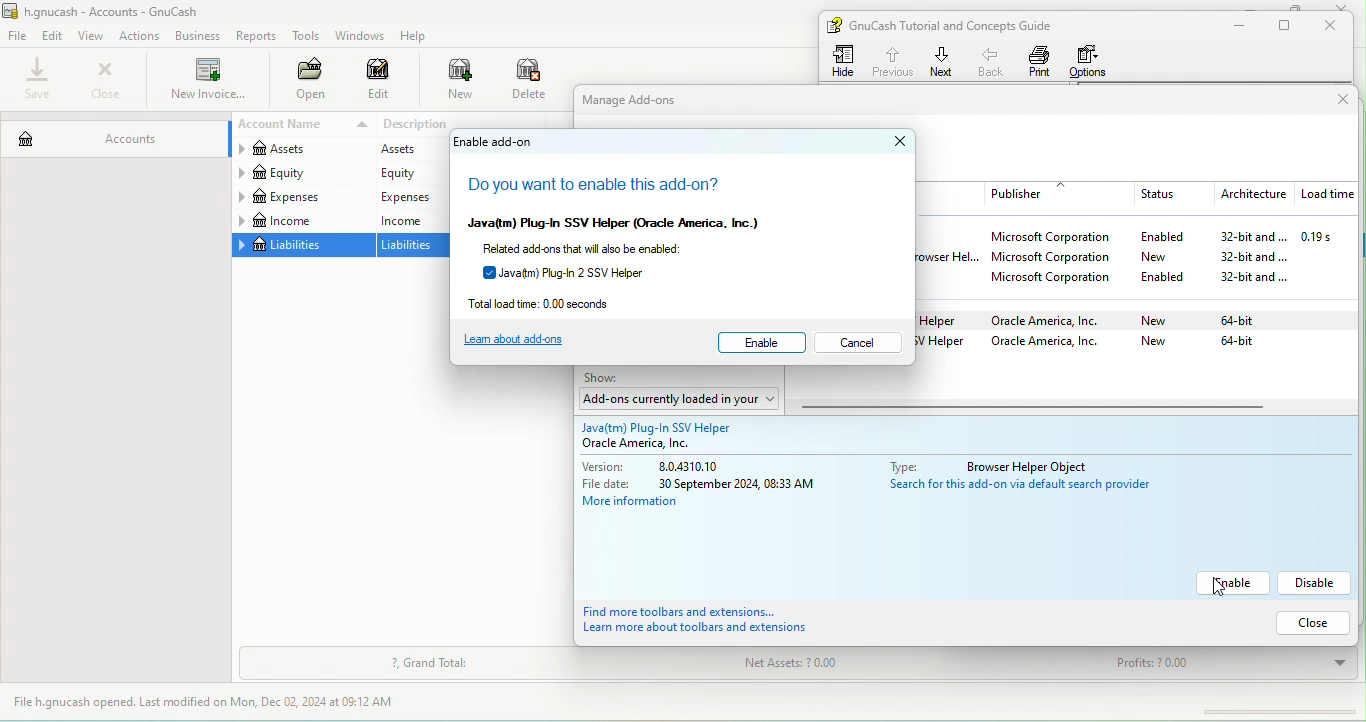 The image size is (1366, 722). What do you see at coordinates (307, 38) in the screenshot?
I see `tools` at bounding box center [307, 38].